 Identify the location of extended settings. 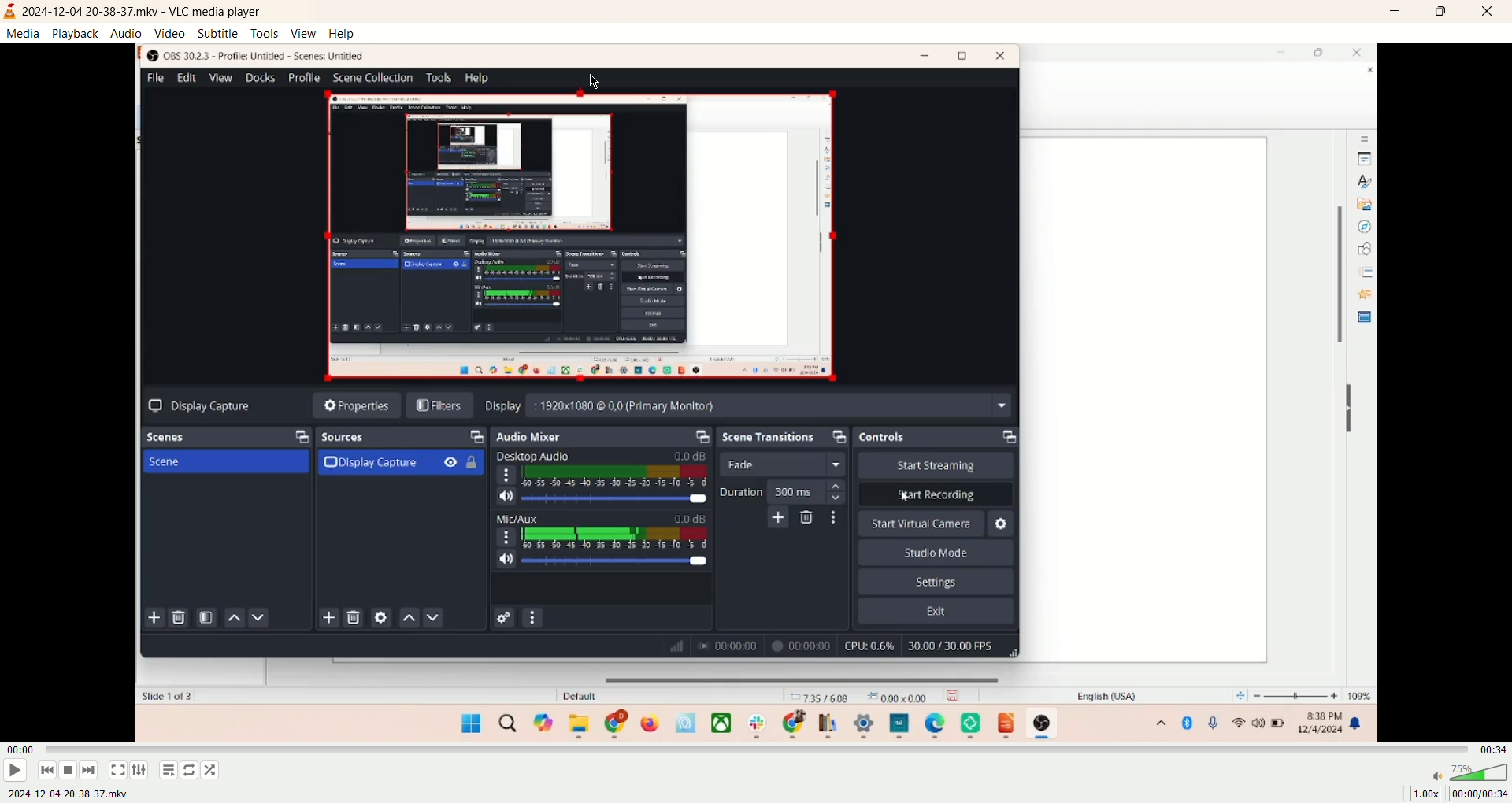
(141, 770).